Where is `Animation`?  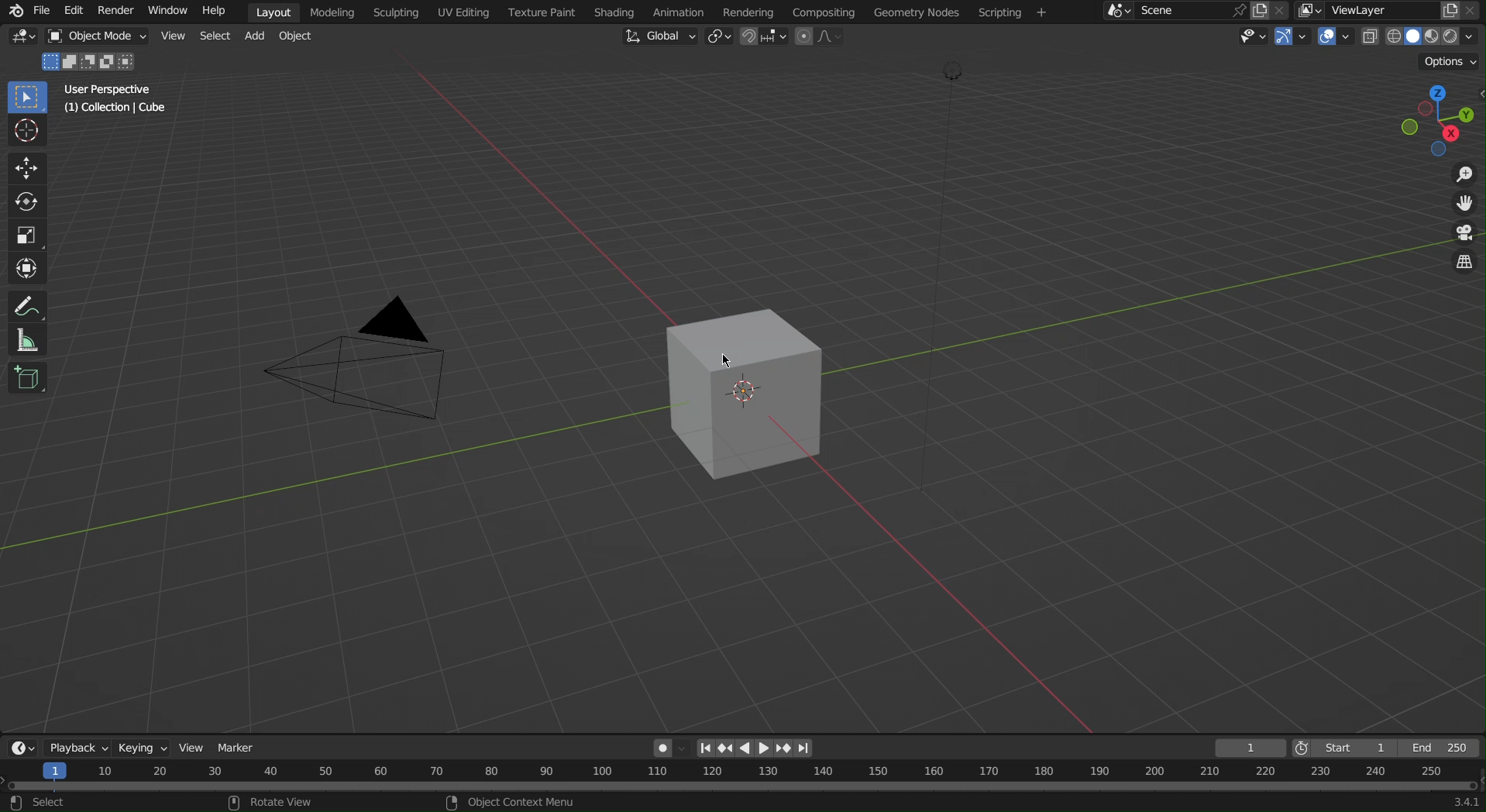
Animation is located at coordinates (677, 12).